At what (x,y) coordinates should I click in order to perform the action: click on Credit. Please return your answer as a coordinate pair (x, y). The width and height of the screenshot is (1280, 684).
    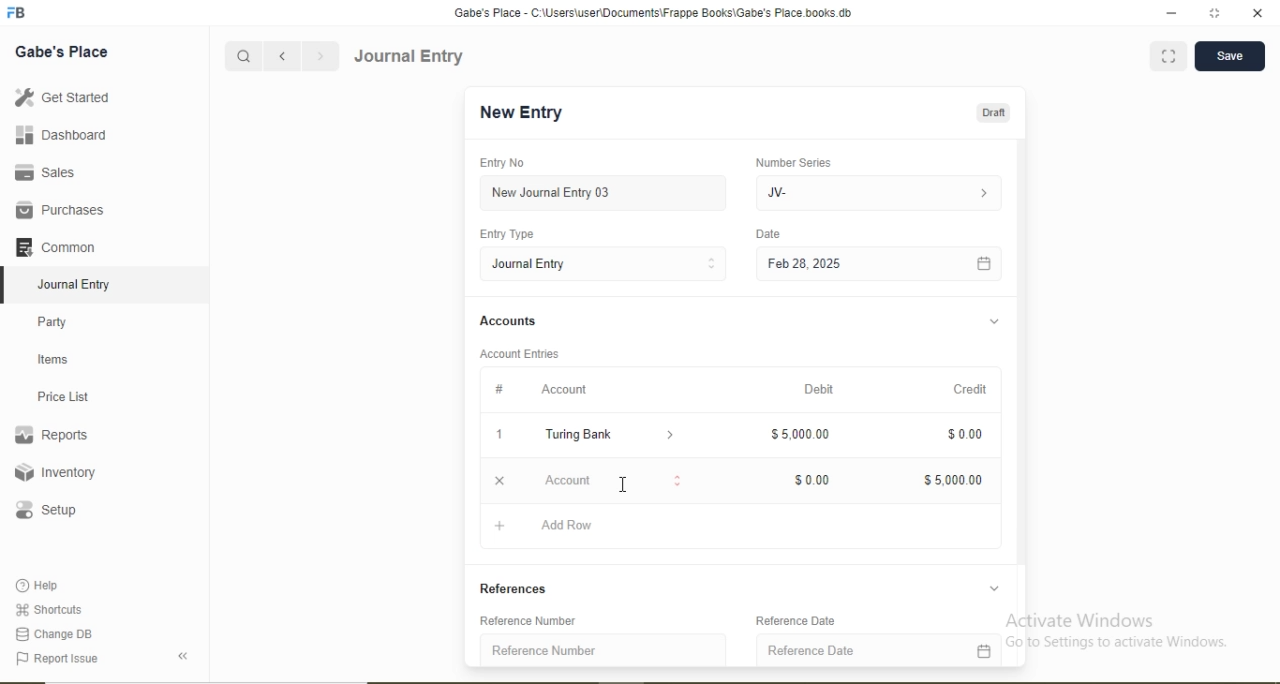
    Looking at the image, I should click on (970, 389).